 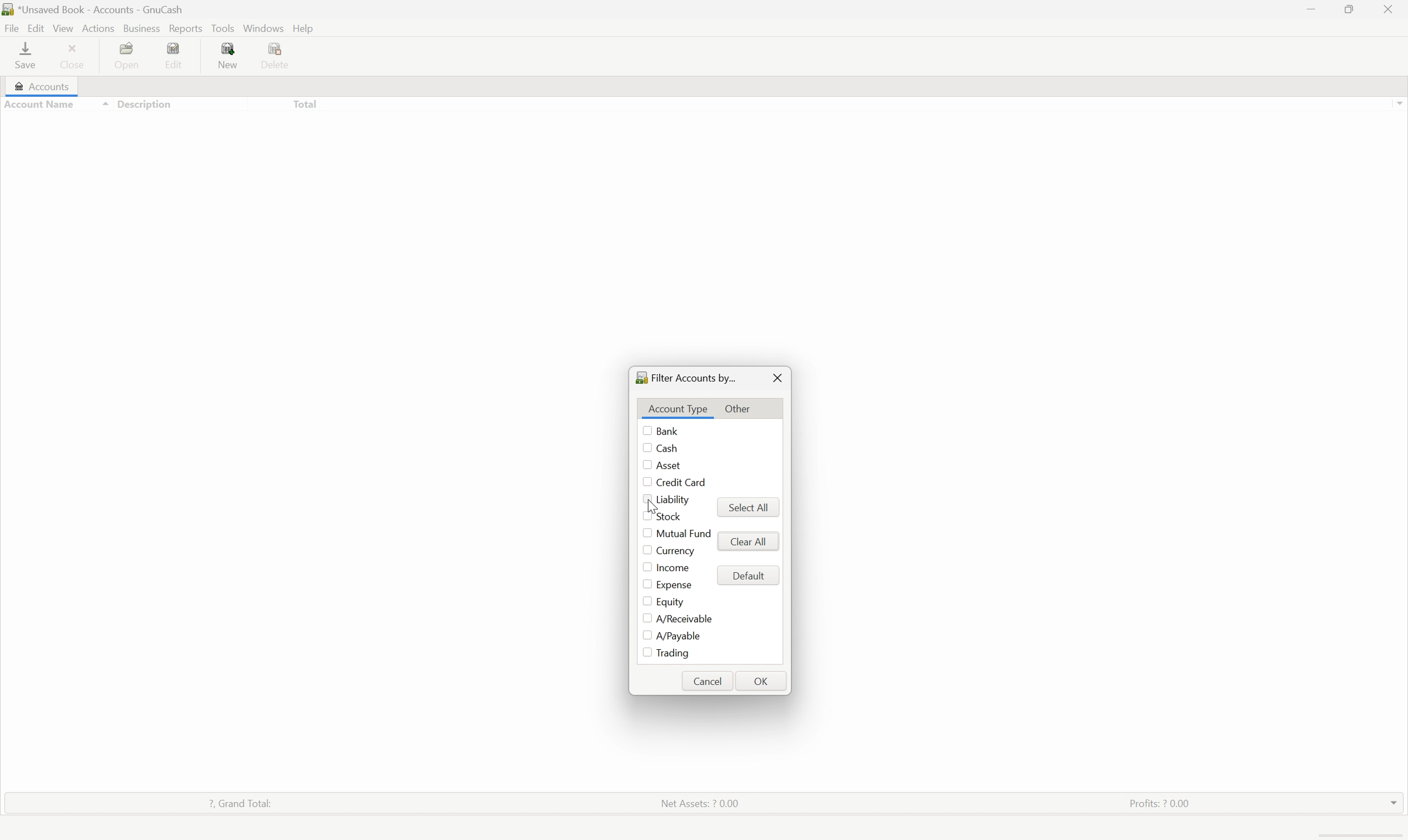 I want to click on Mutual fund, so click(x=684, y=534).